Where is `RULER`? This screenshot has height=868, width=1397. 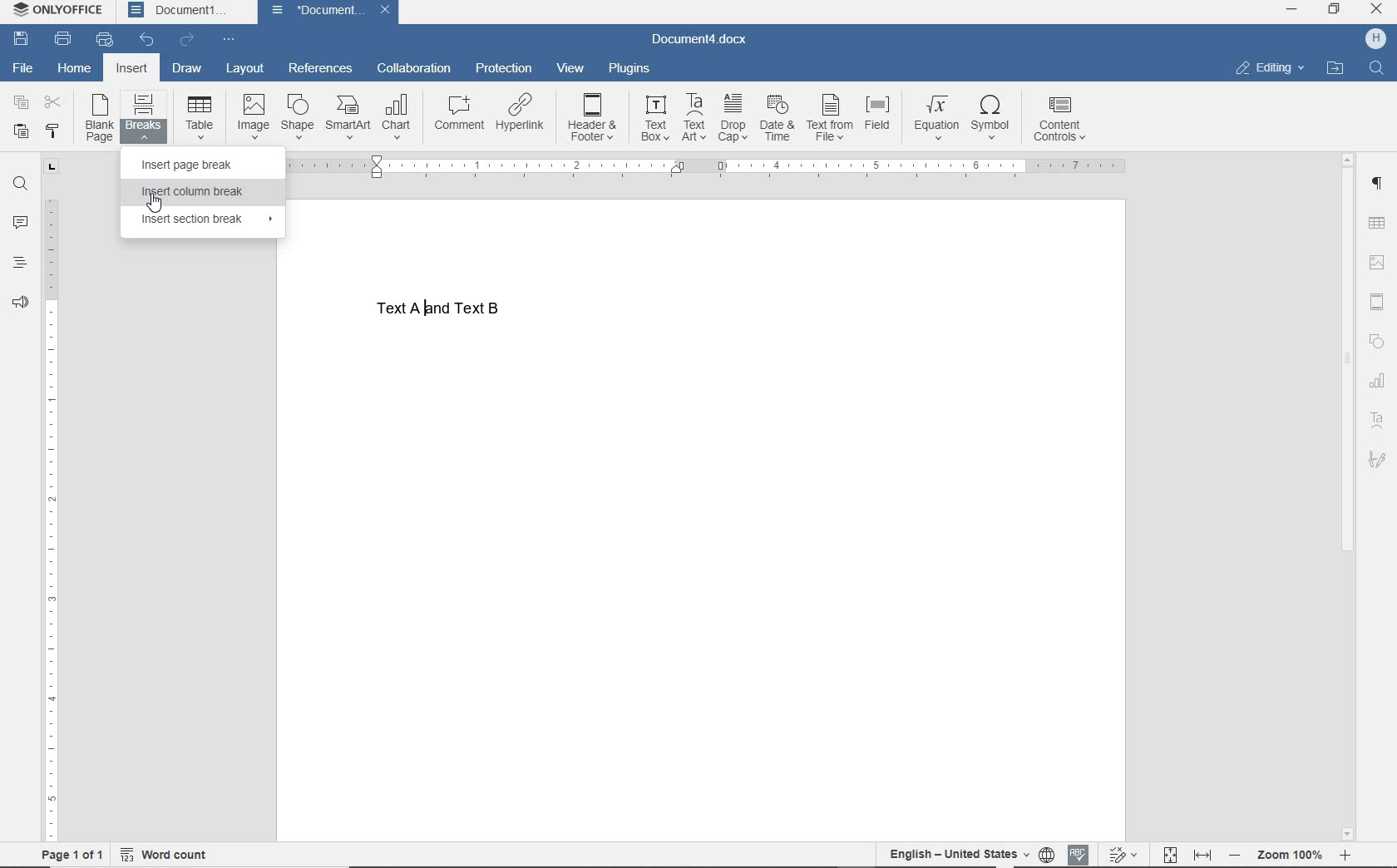 RULER is located at coordinates (739, 167).